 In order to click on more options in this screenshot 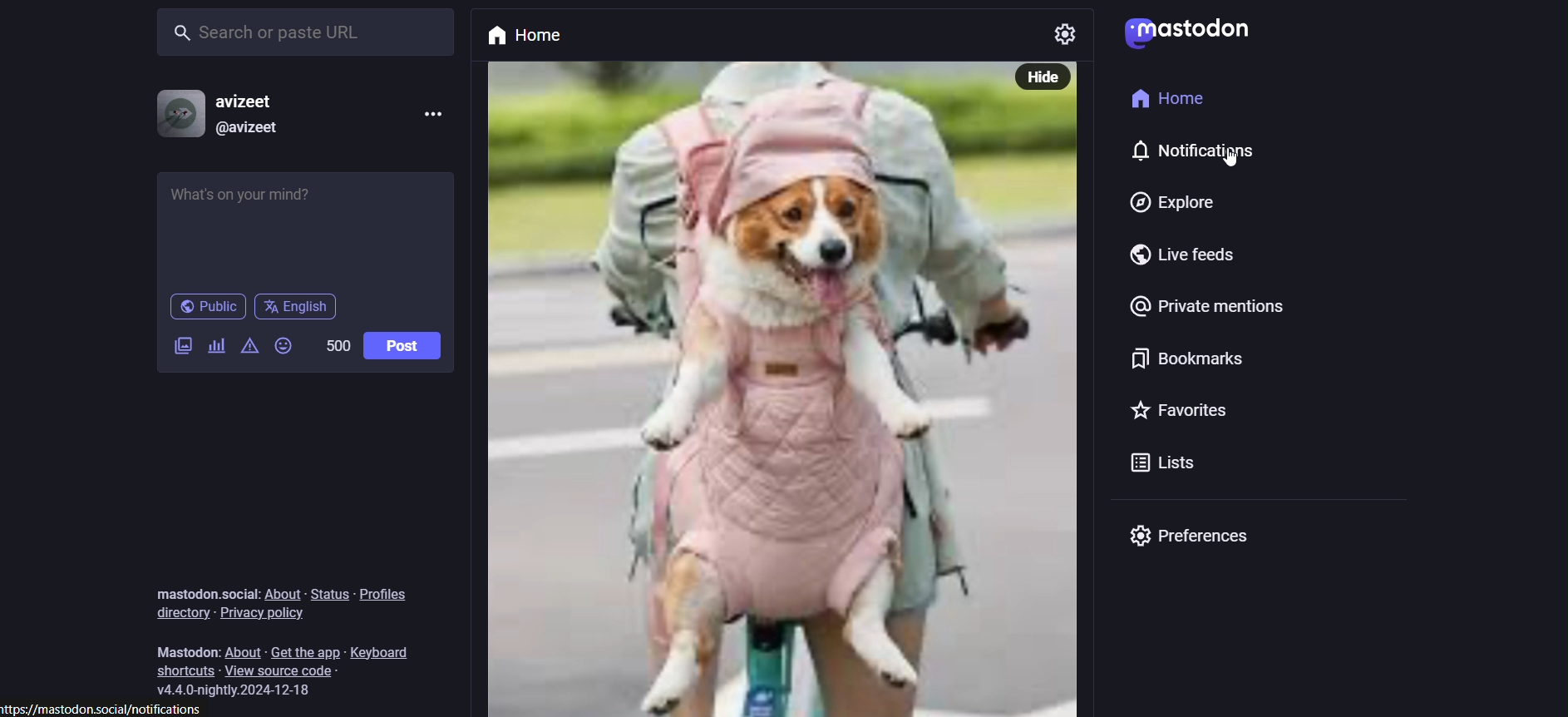, I will do `click(431, 111)`.